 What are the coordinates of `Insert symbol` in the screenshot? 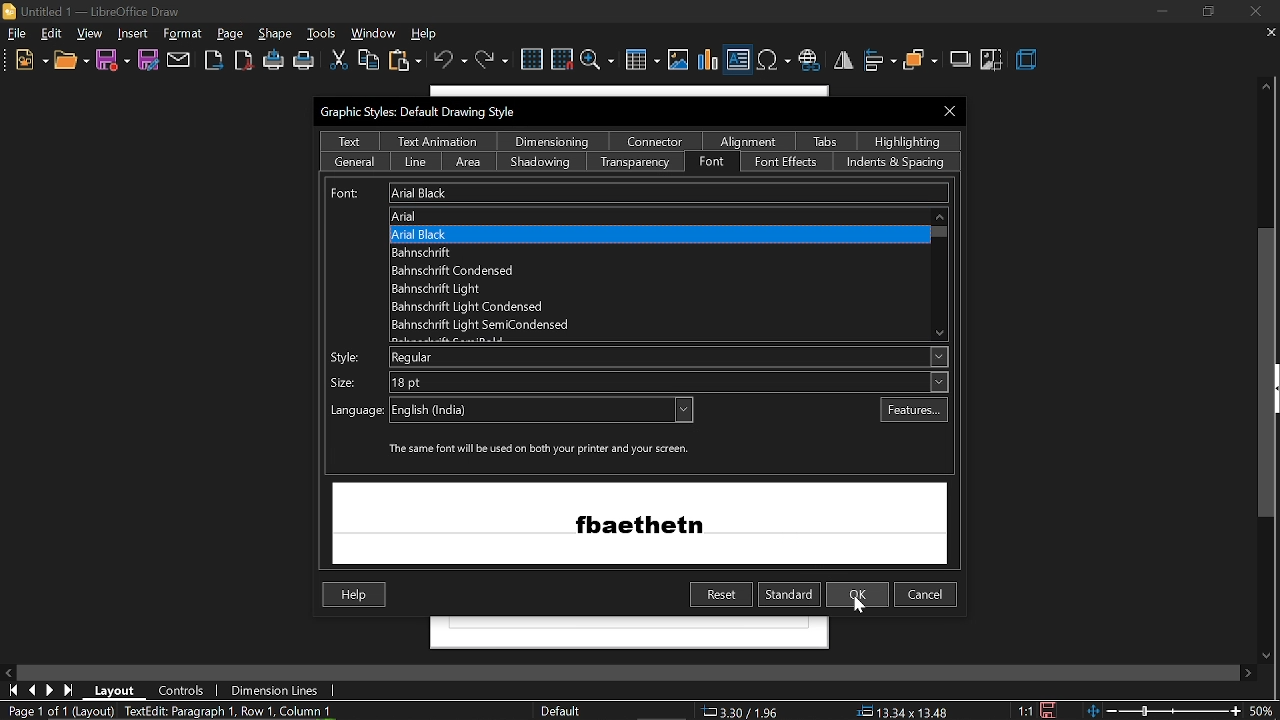 It's located at (773, 60).